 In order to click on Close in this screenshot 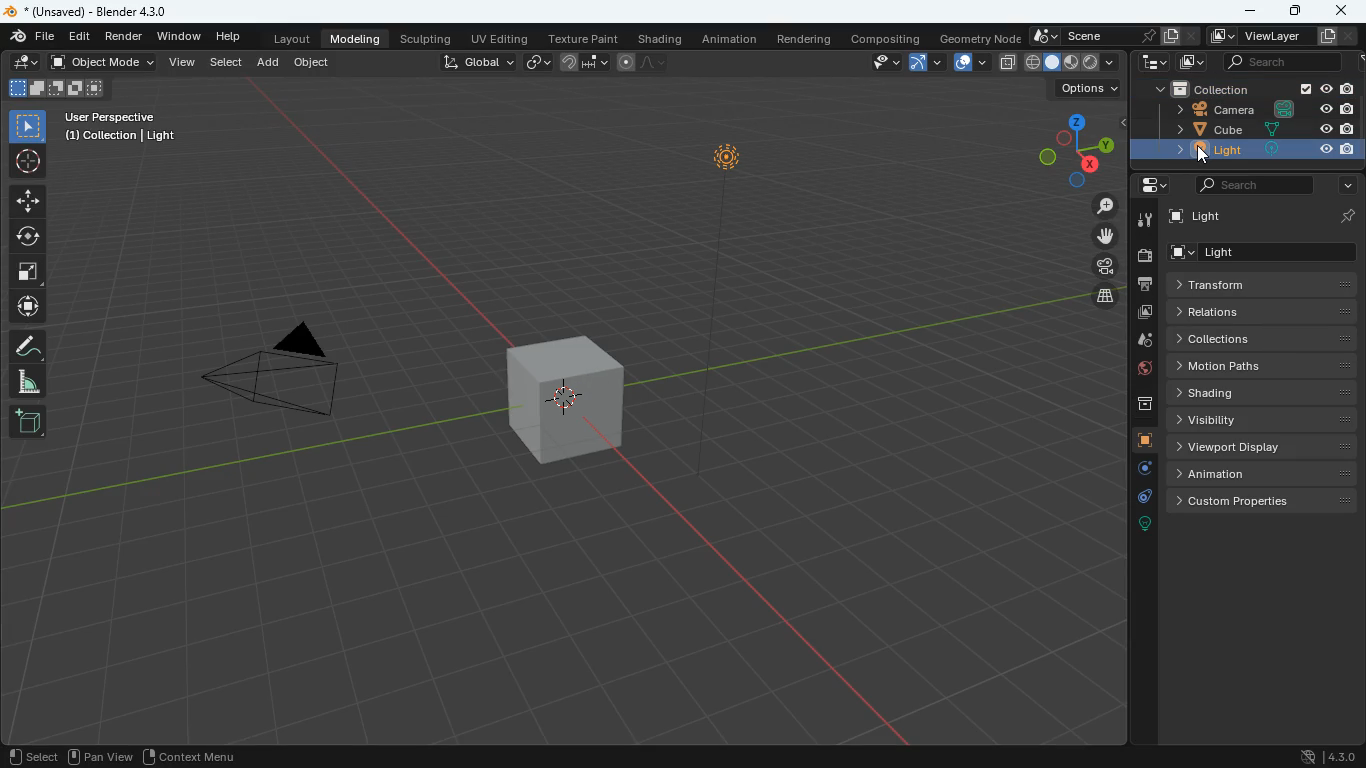, I will do `click(1353, 35)`.